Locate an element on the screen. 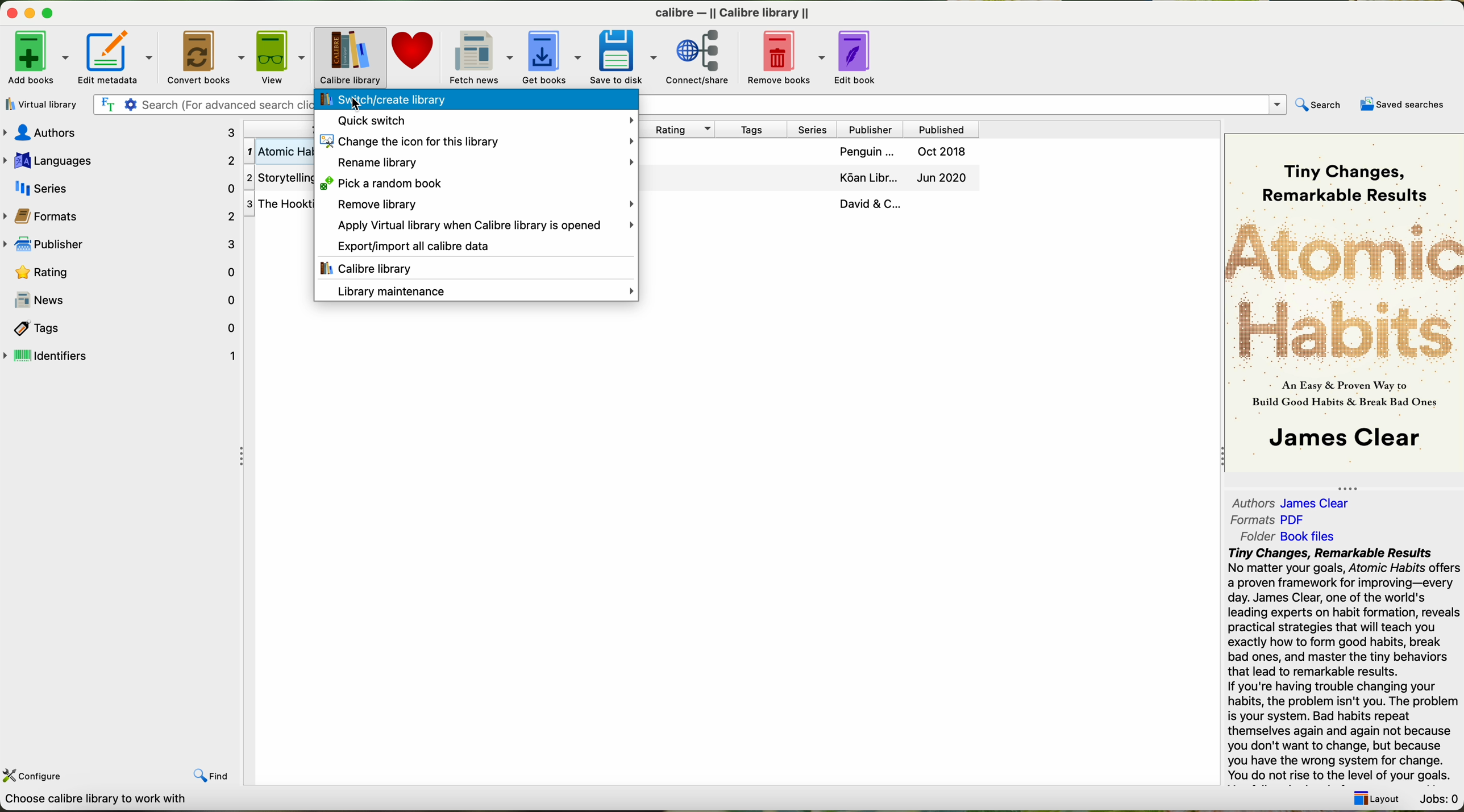  save to disk is located at coordinates (624, 56).